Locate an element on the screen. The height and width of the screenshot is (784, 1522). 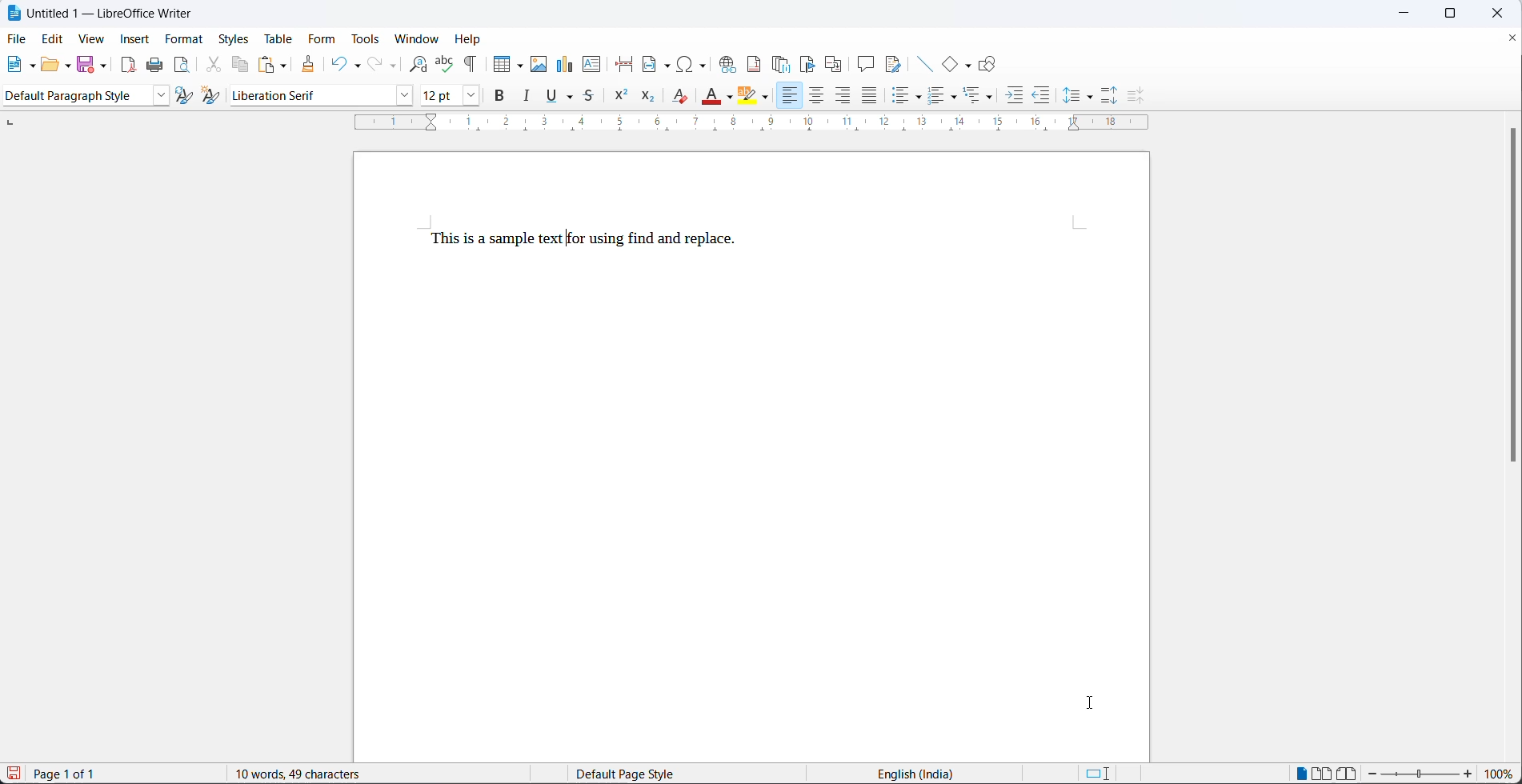
italic is located at coordinates (530, 98).